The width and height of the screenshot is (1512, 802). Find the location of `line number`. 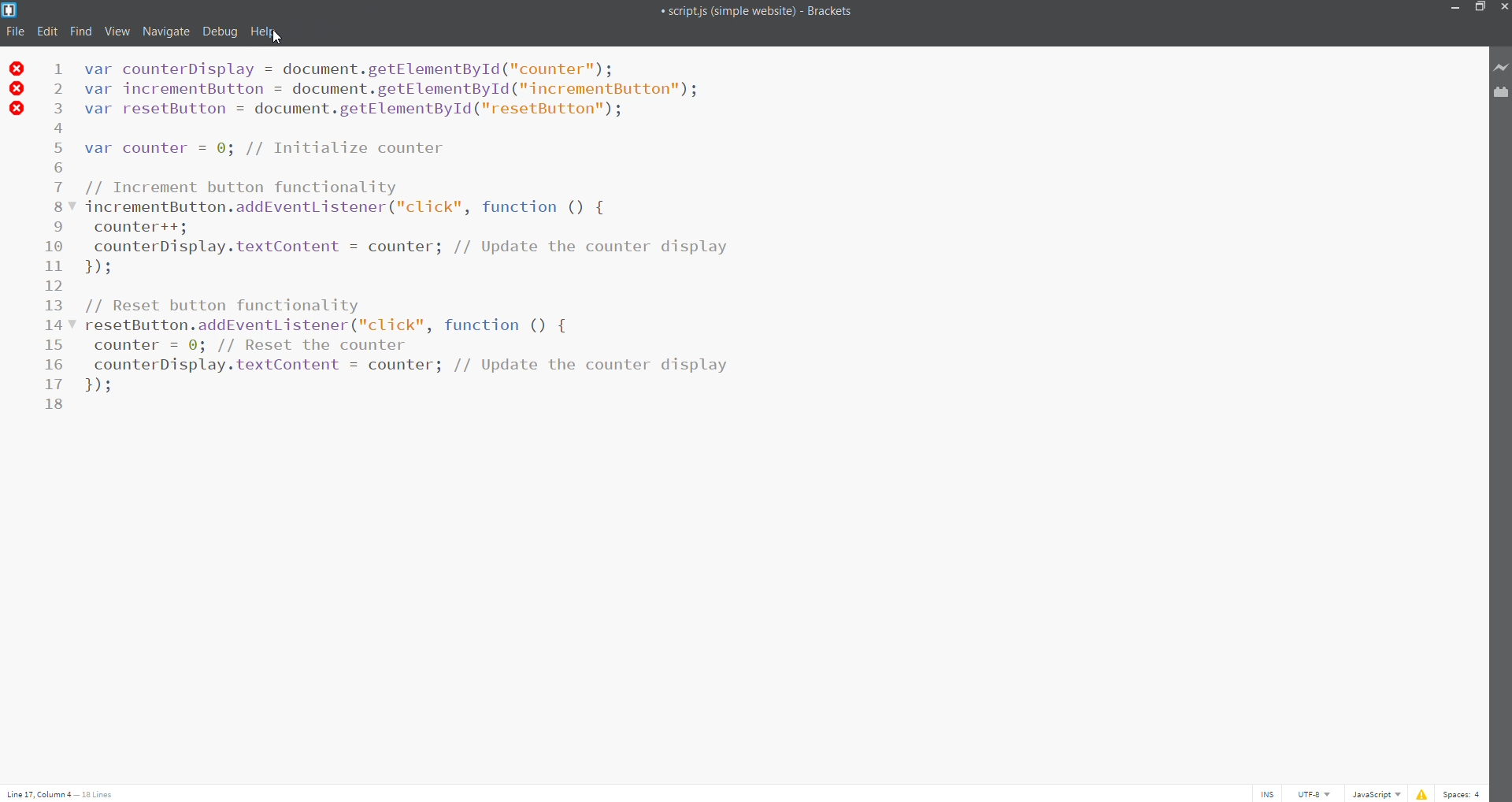

line number is located at coordinates (61, 234).